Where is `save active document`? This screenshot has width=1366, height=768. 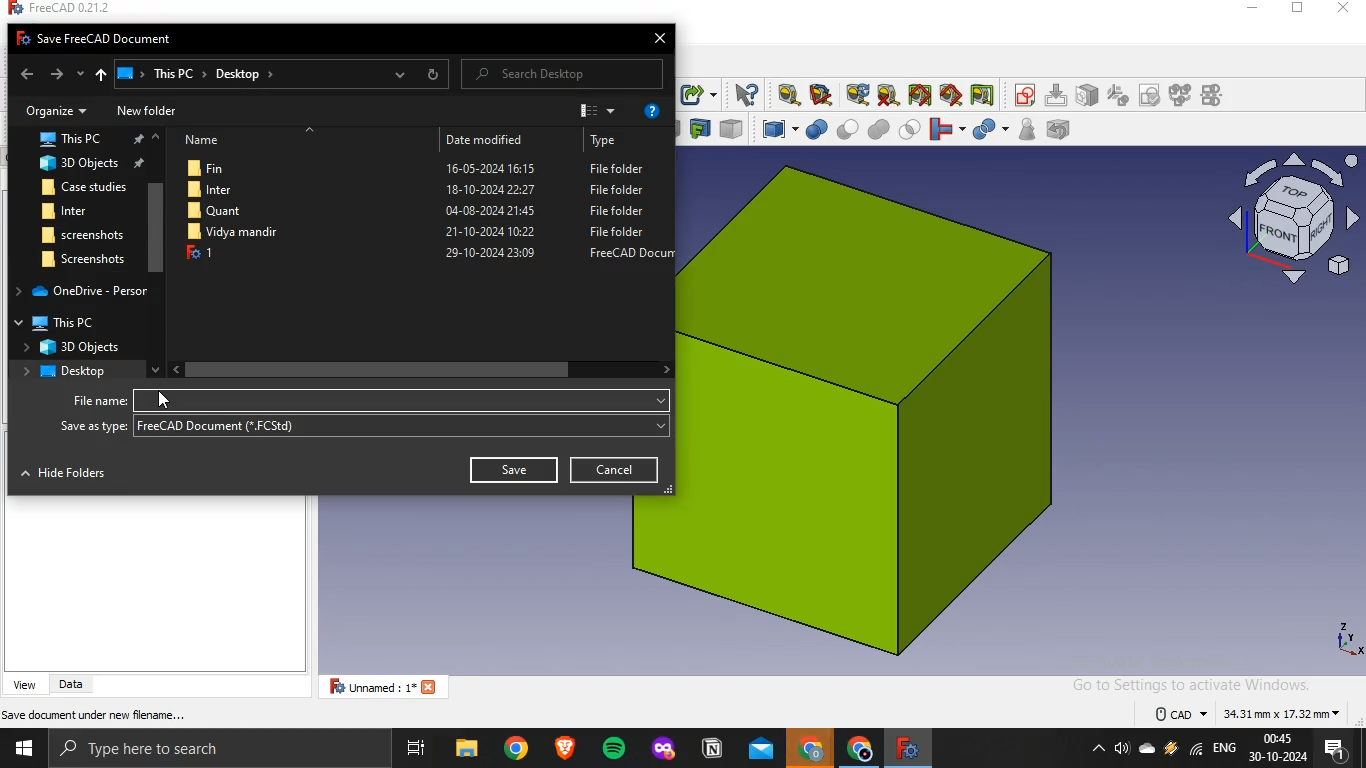
save active document is located at coordinates (140, 713).